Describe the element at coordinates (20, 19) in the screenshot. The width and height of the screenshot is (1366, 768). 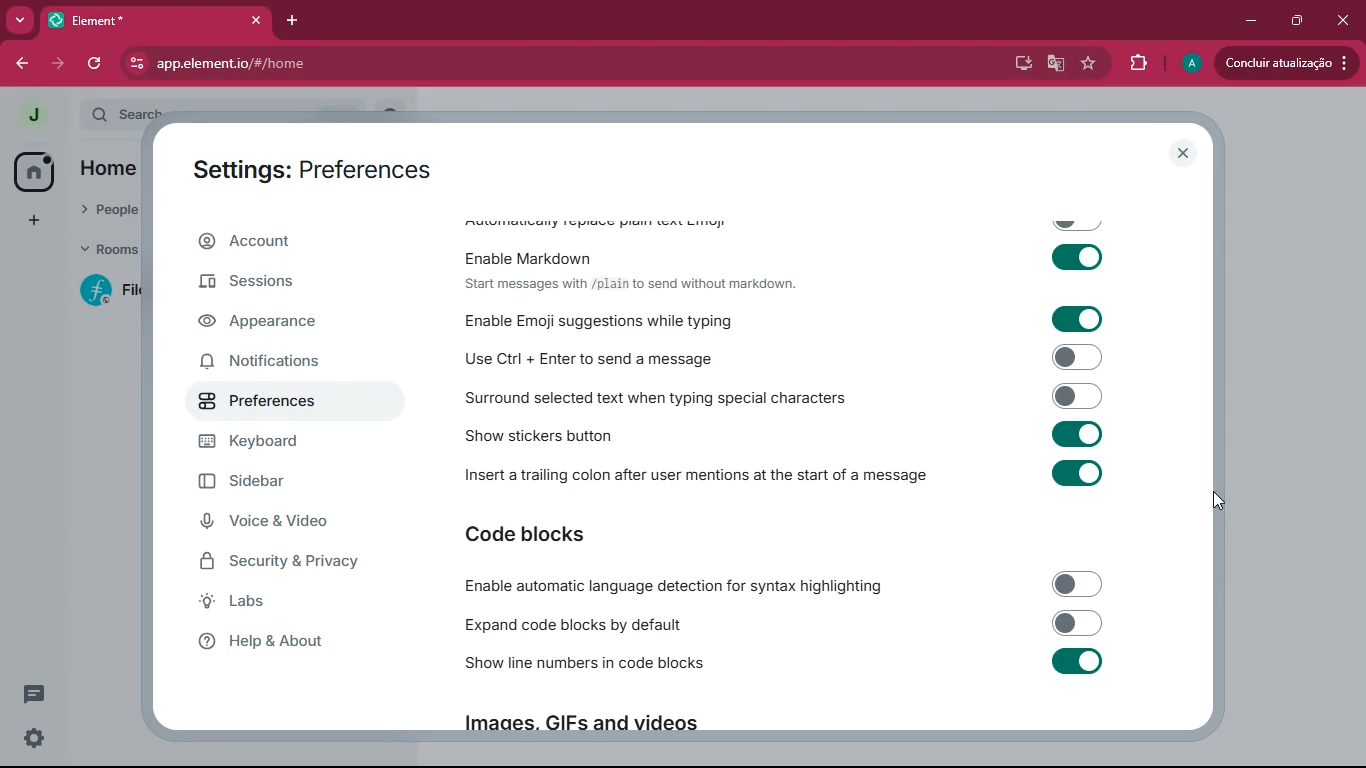
I see `more` at that location.